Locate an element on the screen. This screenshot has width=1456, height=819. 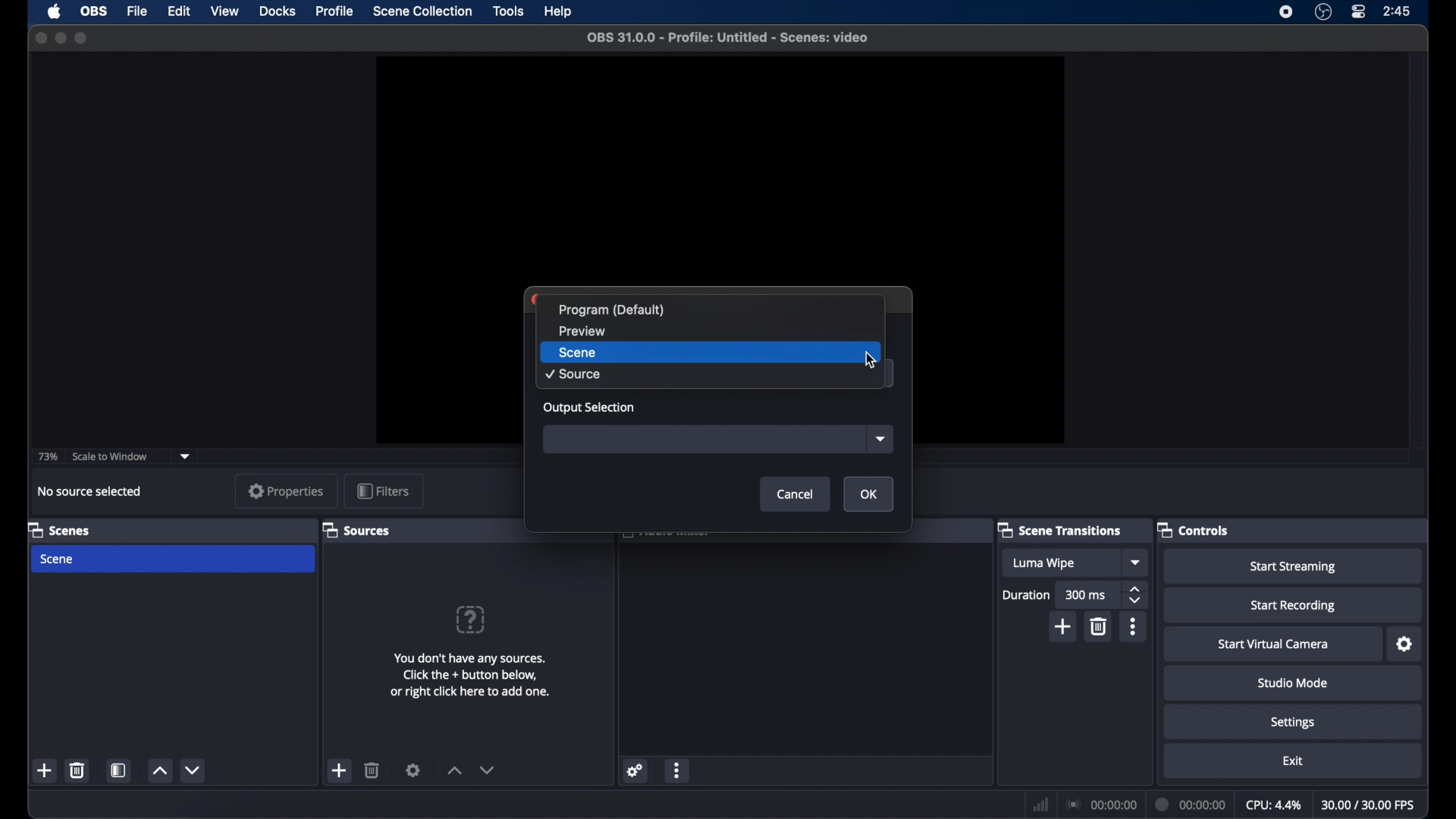
dropdown is located at coordinates (186, 455).